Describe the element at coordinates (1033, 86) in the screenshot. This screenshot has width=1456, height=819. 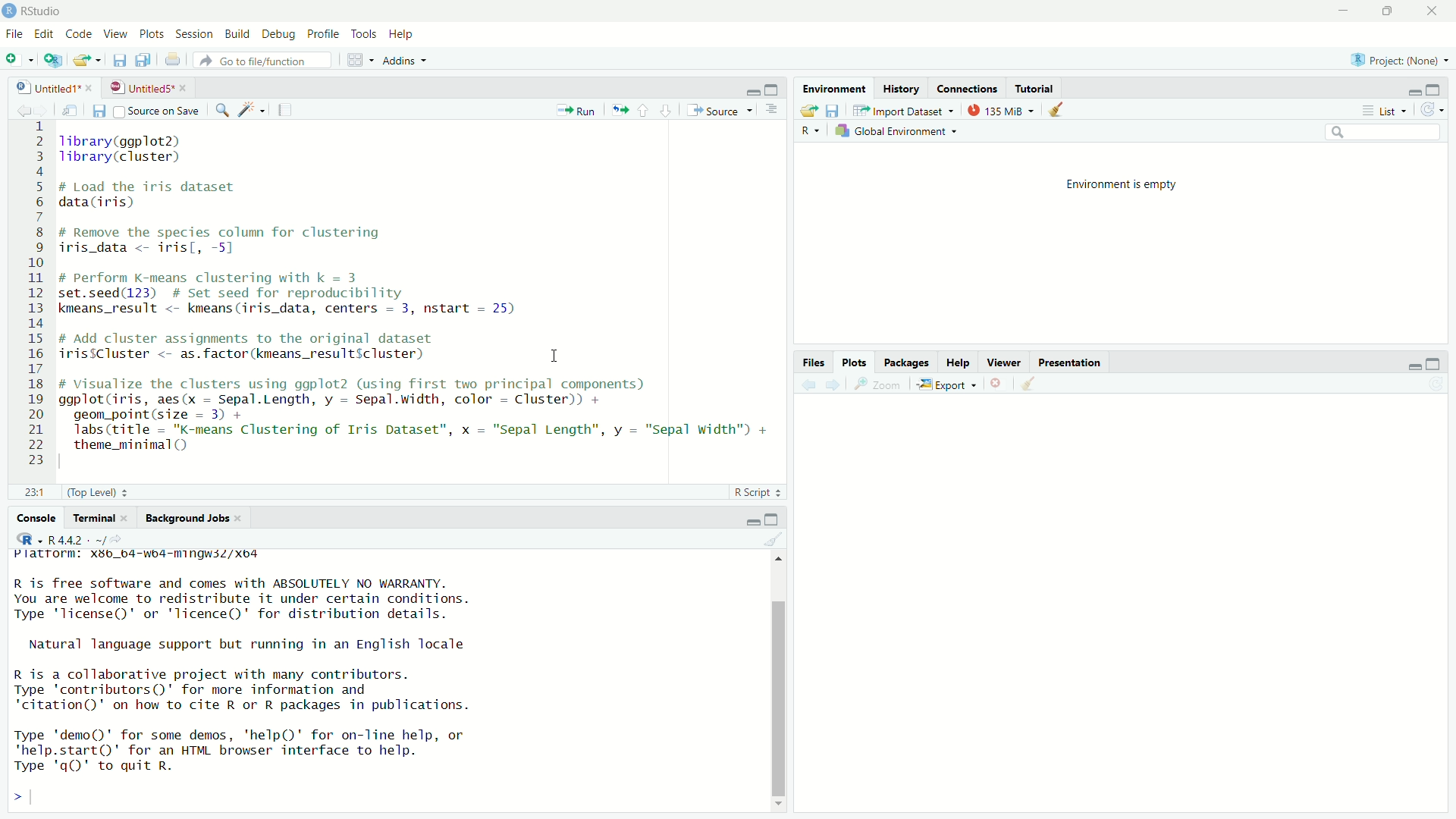
I see `Tutorial` at that location.